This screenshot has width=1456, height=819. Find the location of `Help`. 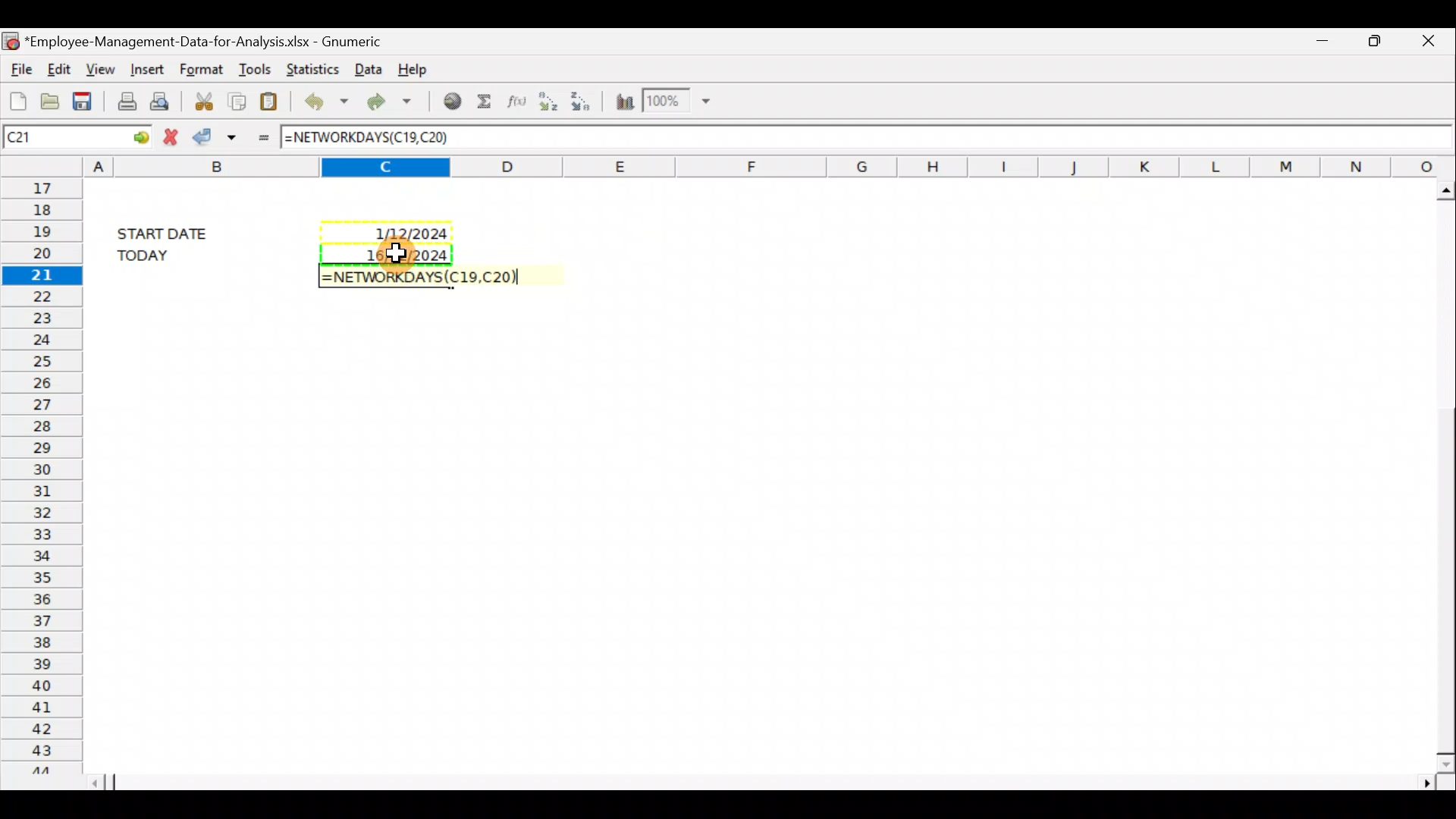

Help is located at coordinates (423, 71).